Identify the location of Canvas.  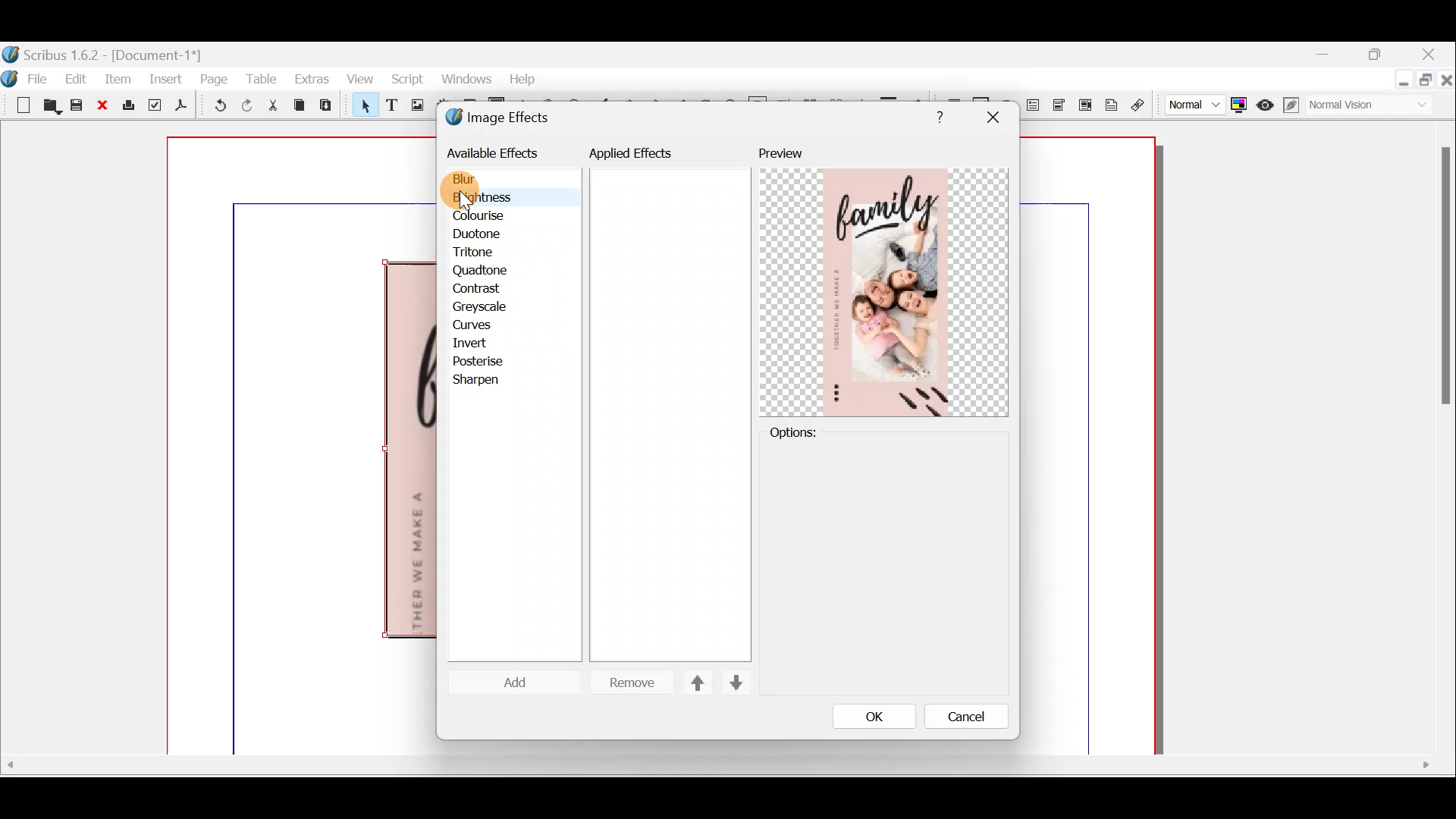
(303, 447).